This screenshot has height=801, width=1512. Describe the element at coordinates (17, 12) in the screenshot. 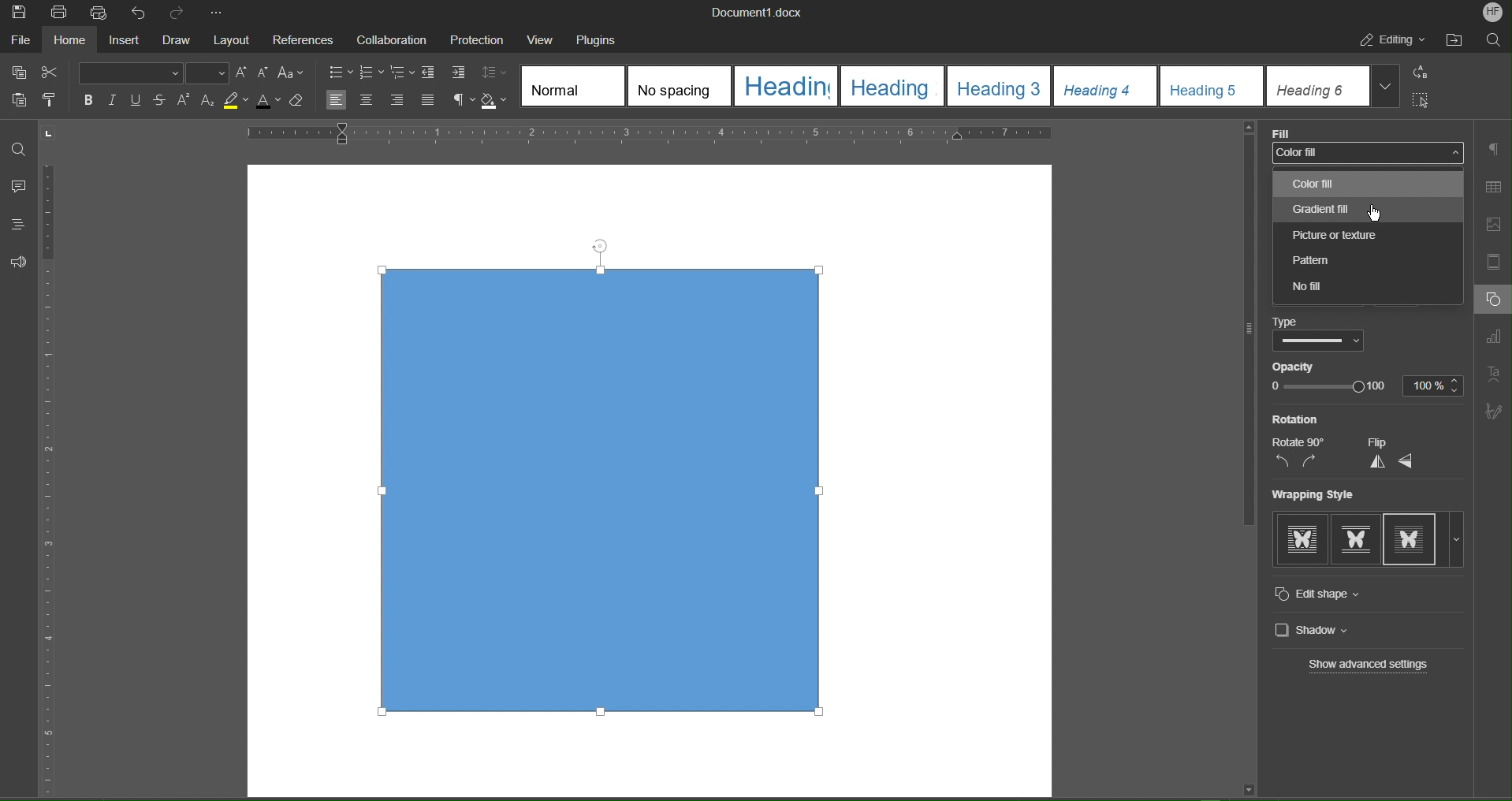

I see `Save` at that location.